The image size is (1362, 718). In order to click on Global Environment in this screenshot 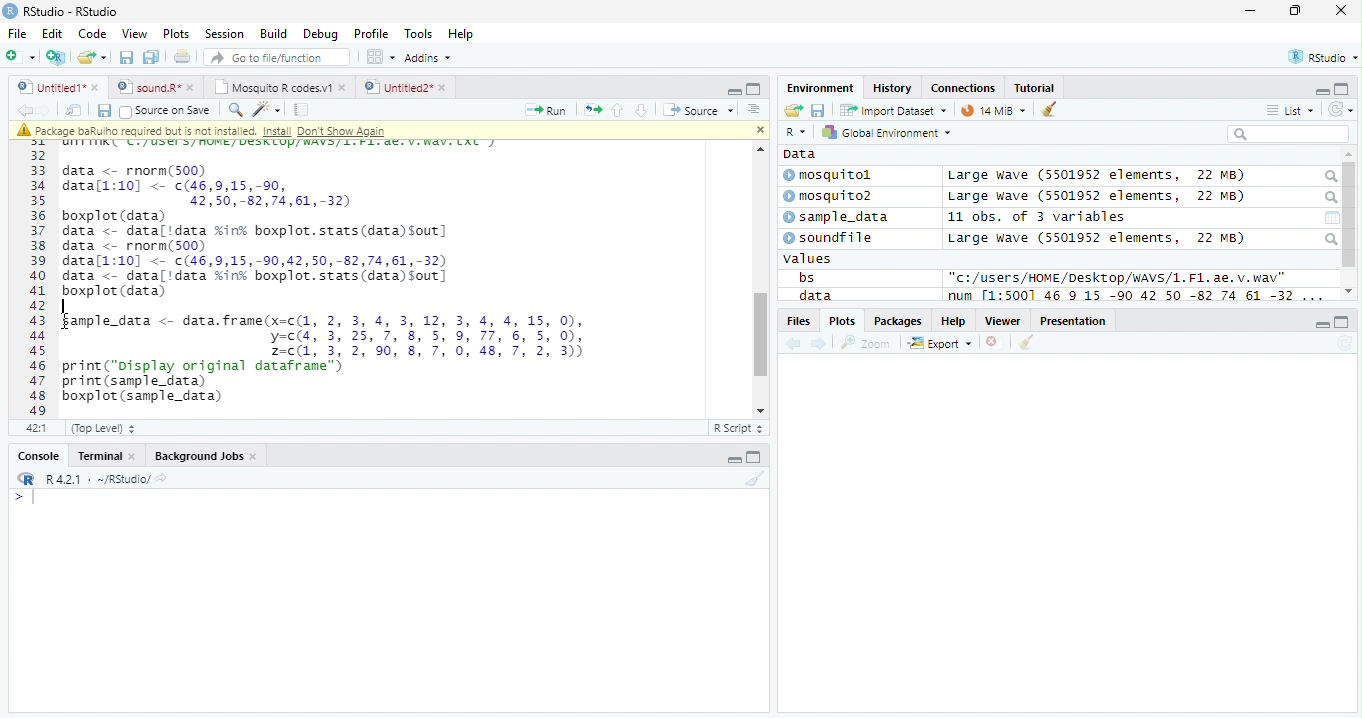, I will do `click(884, 131)`.